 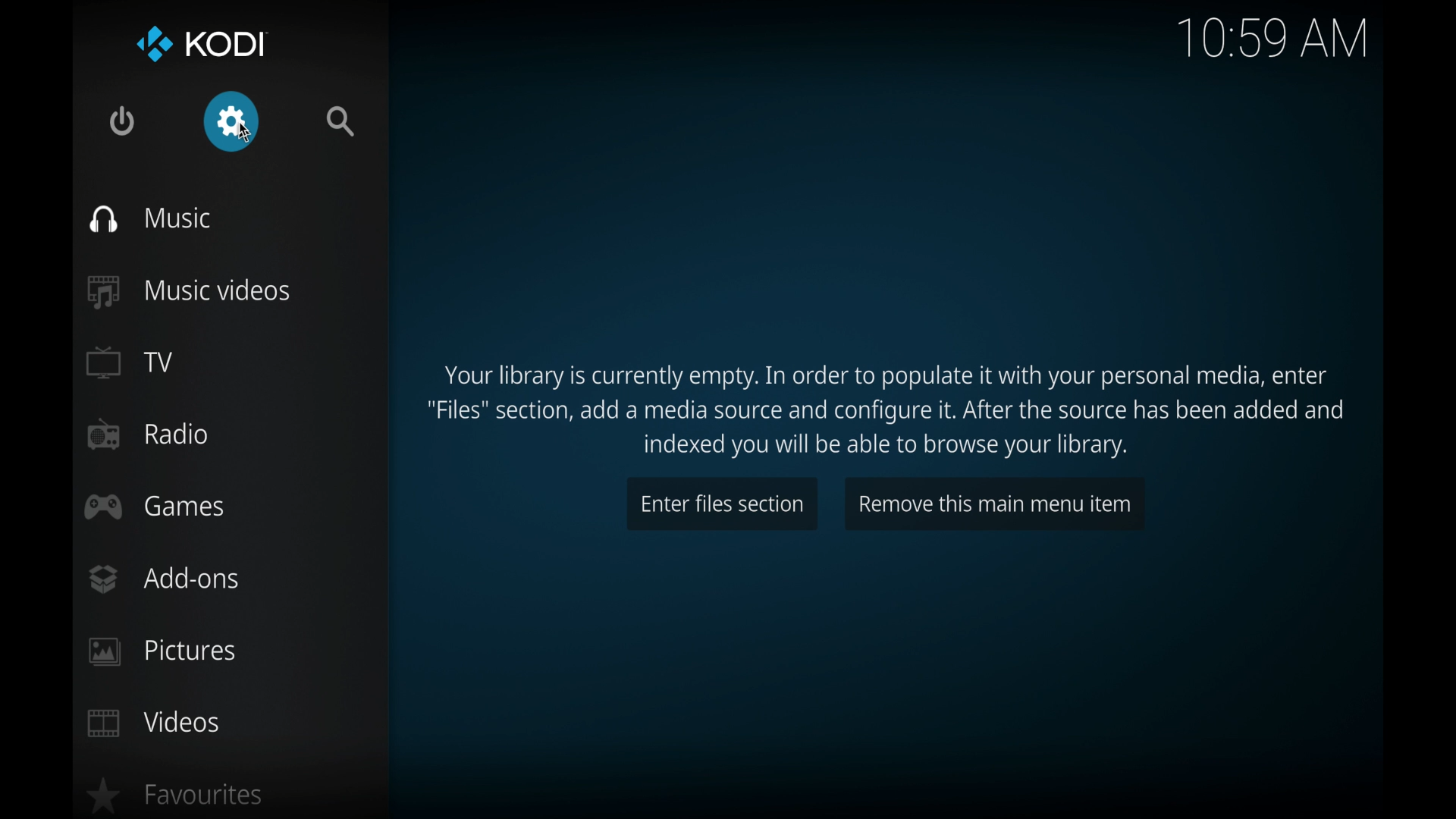 What do you see at coordinates (172, 795) in the screenshot?
I see `favorites` at bounding box center [172, 795].